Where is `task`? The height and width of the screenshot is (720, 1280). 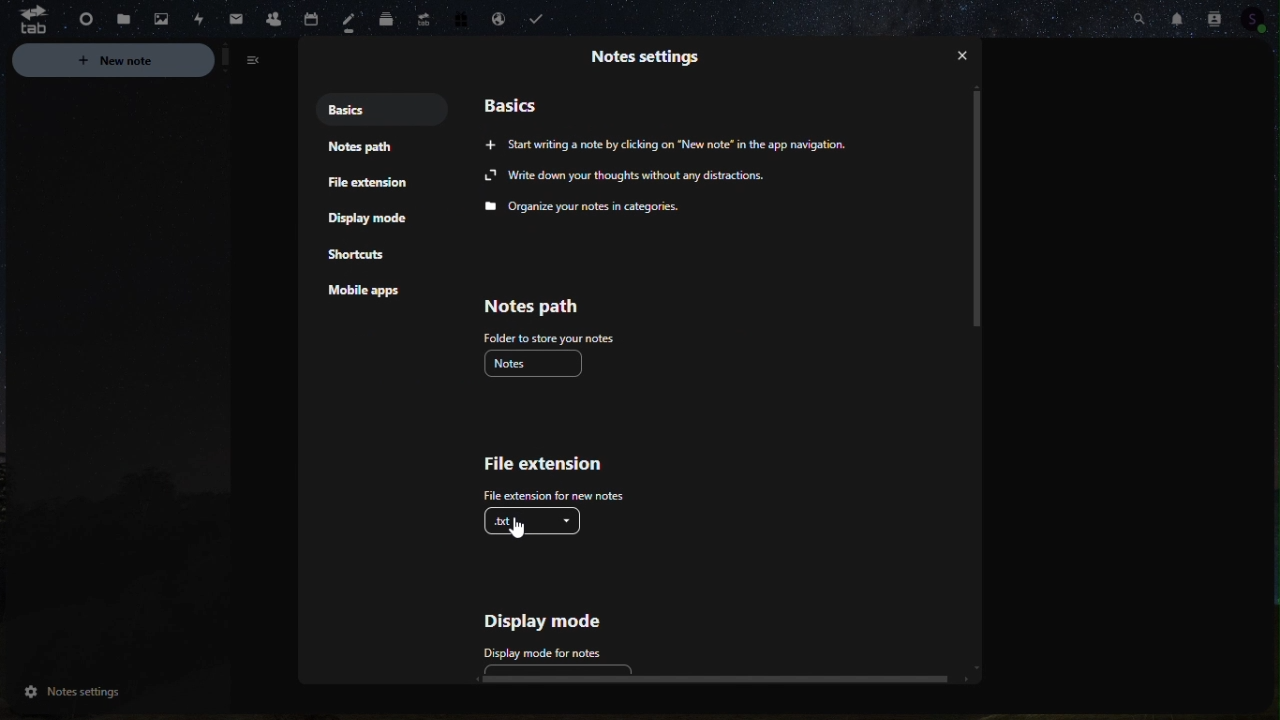 task is located at coordinates (541, 20).